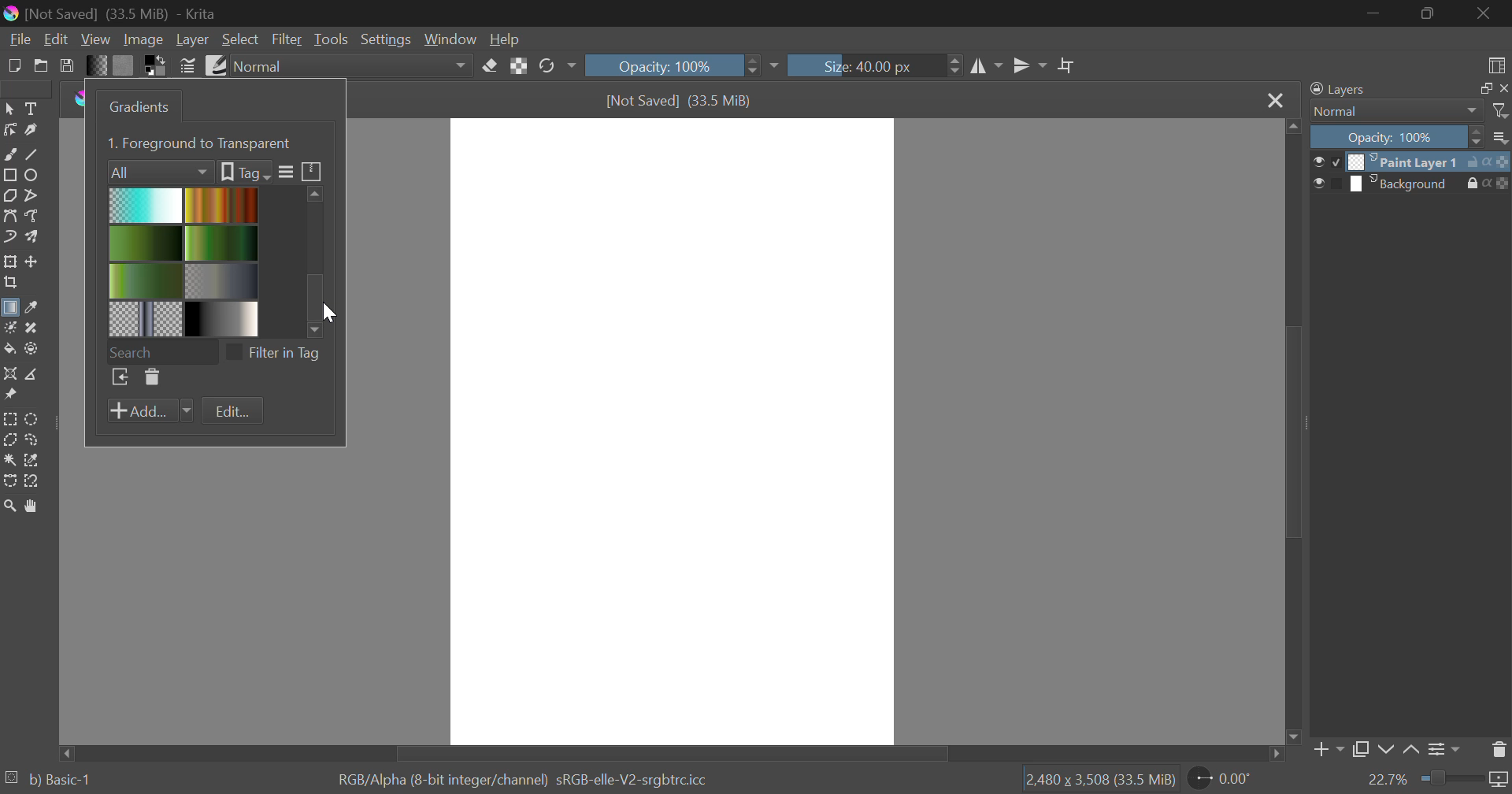 This screenshot has width=1512, height=794. Describe the element at coordinates (146, 280) in the screenshot. I see `Gradient 5` at that location.